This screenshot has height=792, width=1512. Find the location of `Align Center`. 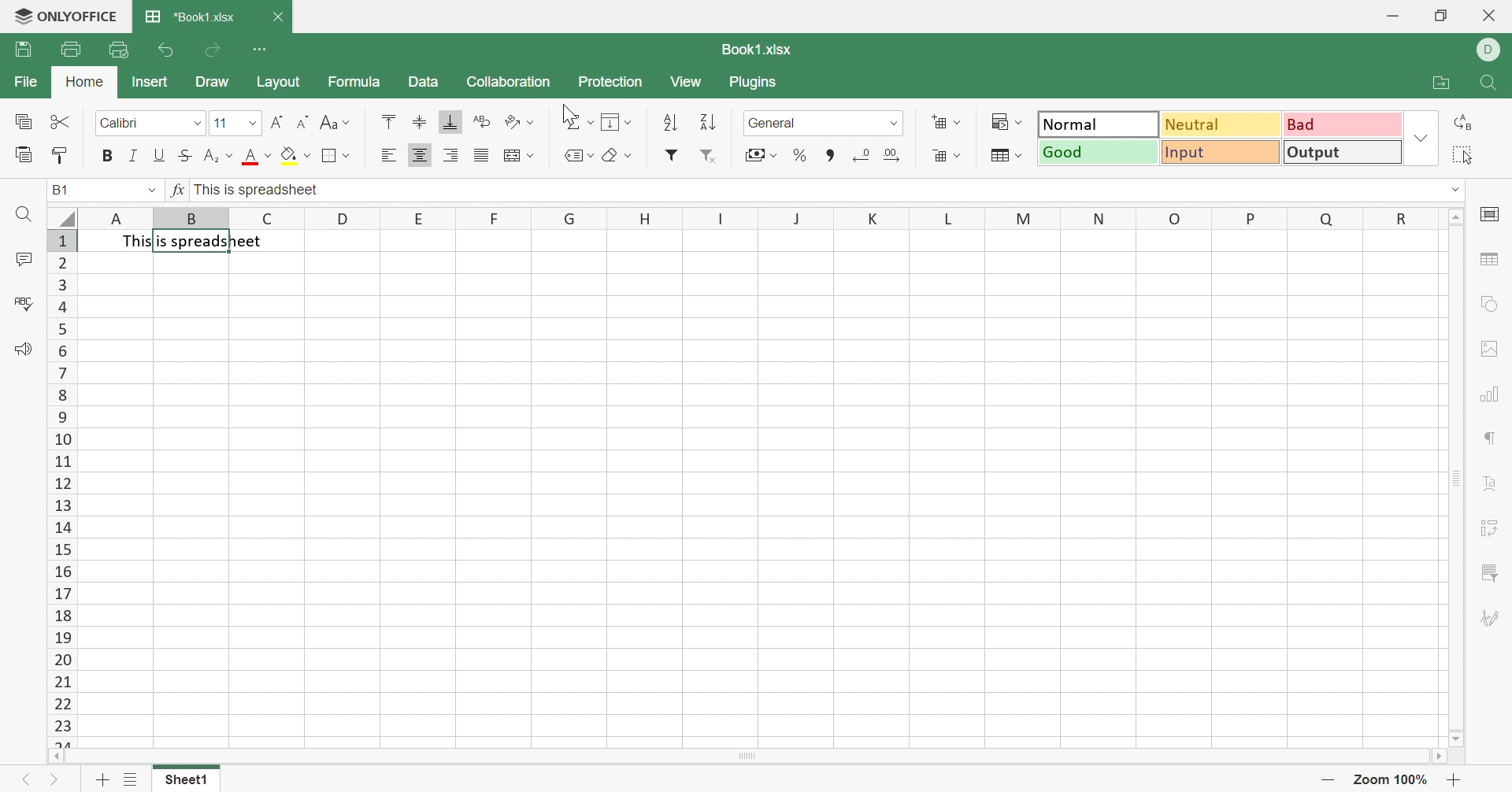

Align Center is located at coordinates (420, 156).